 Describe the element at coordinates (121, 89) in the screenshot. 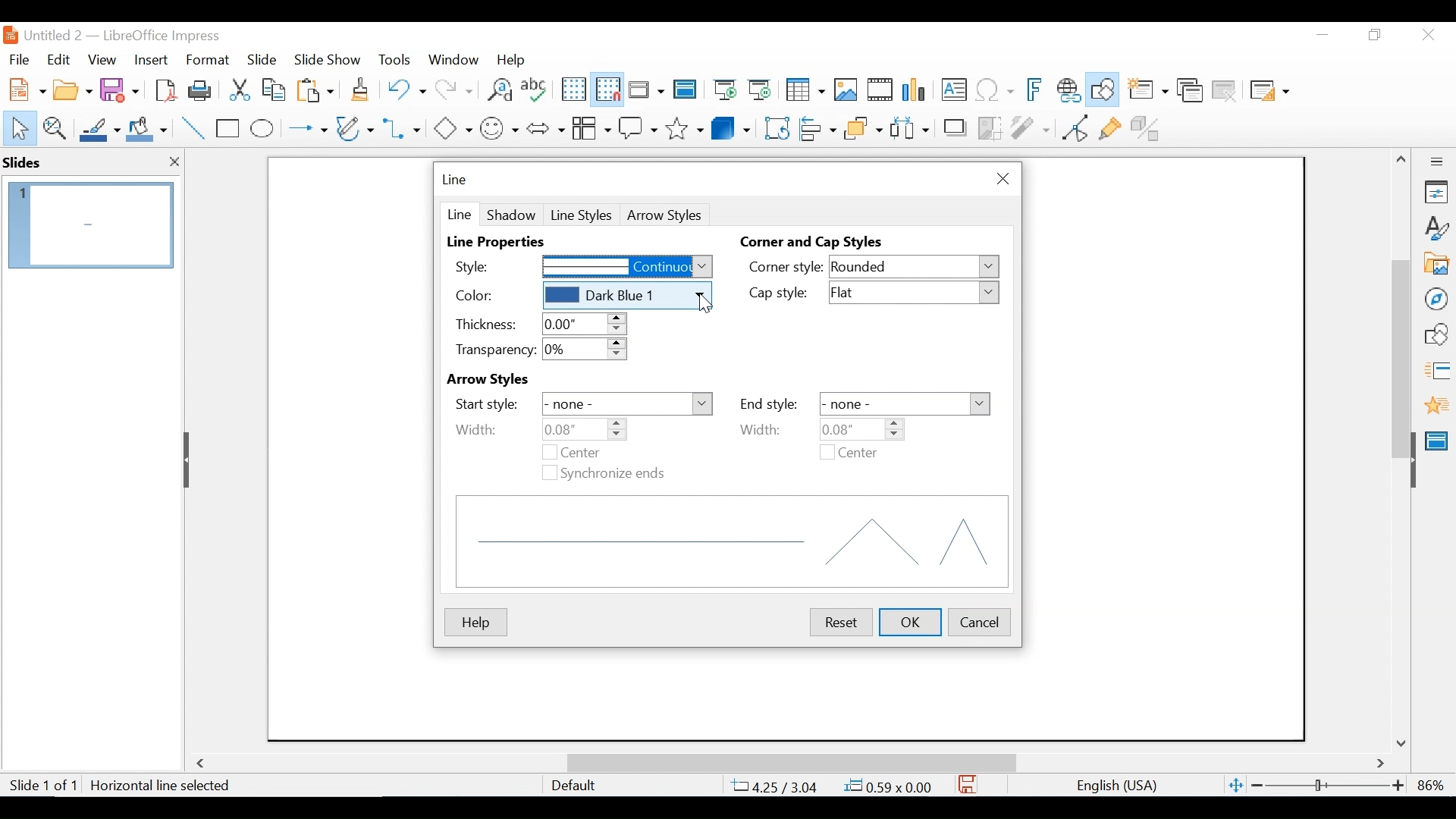

I see `Save` at that location.